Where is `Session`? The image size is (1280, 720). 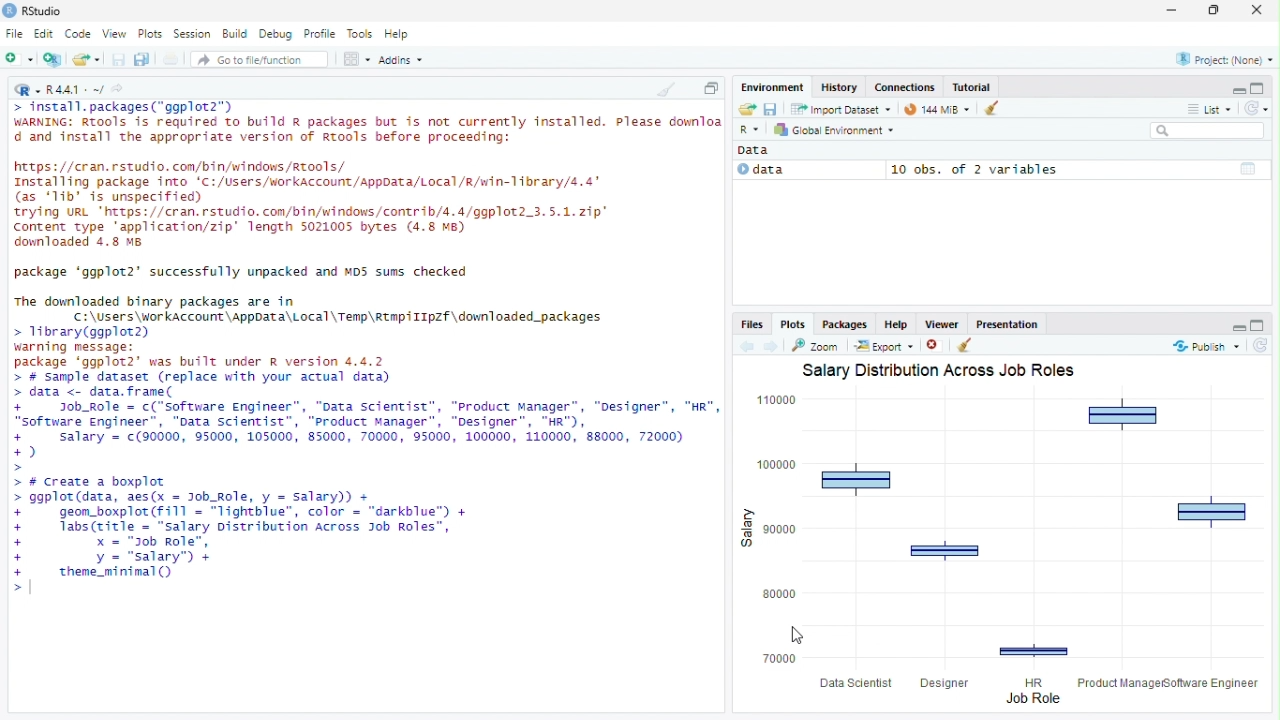 Session is located at coordinates (193, 35).